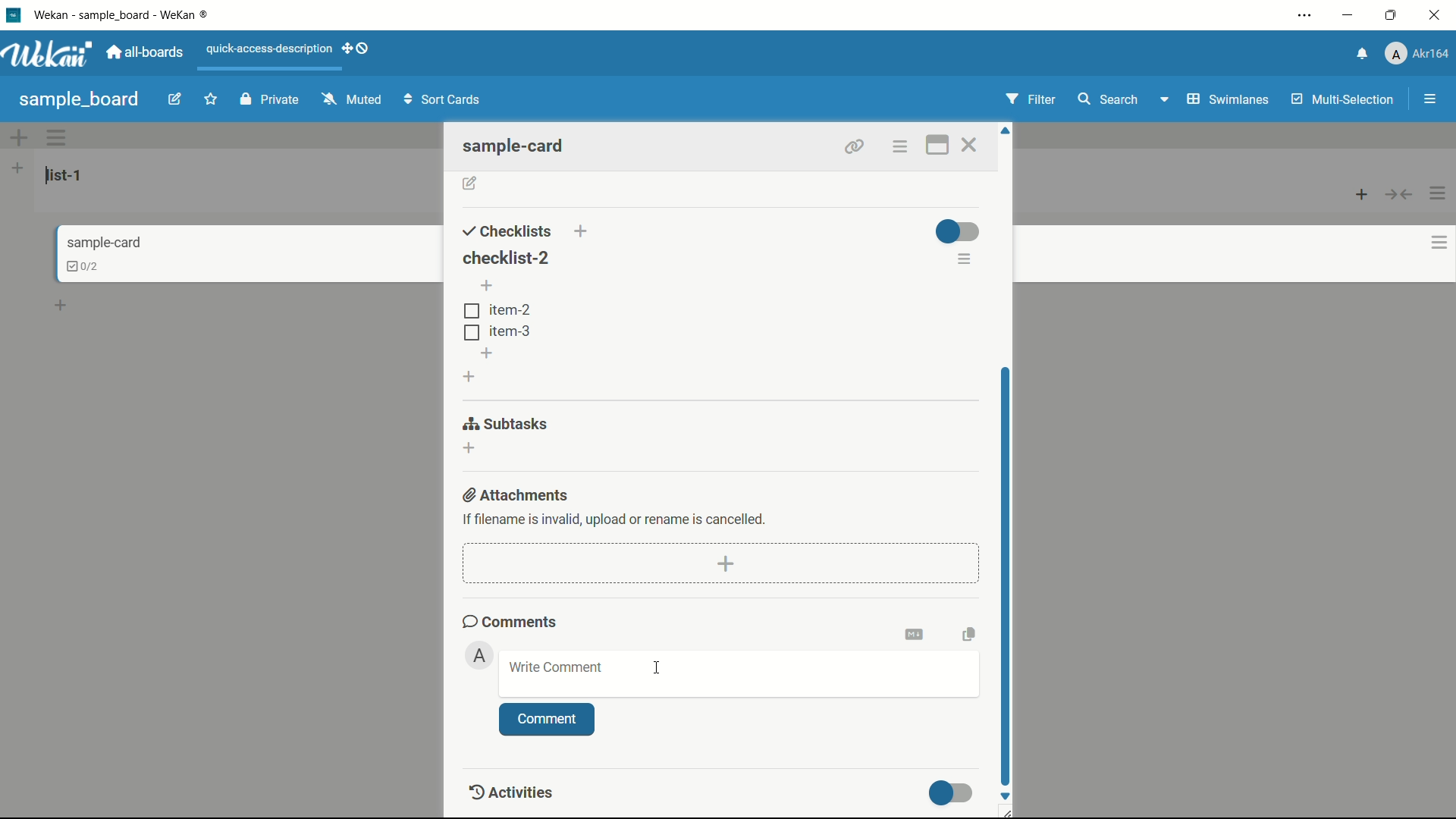 This screenshot has width=1456, height=819. I want to click on convert to markdown, so click(917, 632).